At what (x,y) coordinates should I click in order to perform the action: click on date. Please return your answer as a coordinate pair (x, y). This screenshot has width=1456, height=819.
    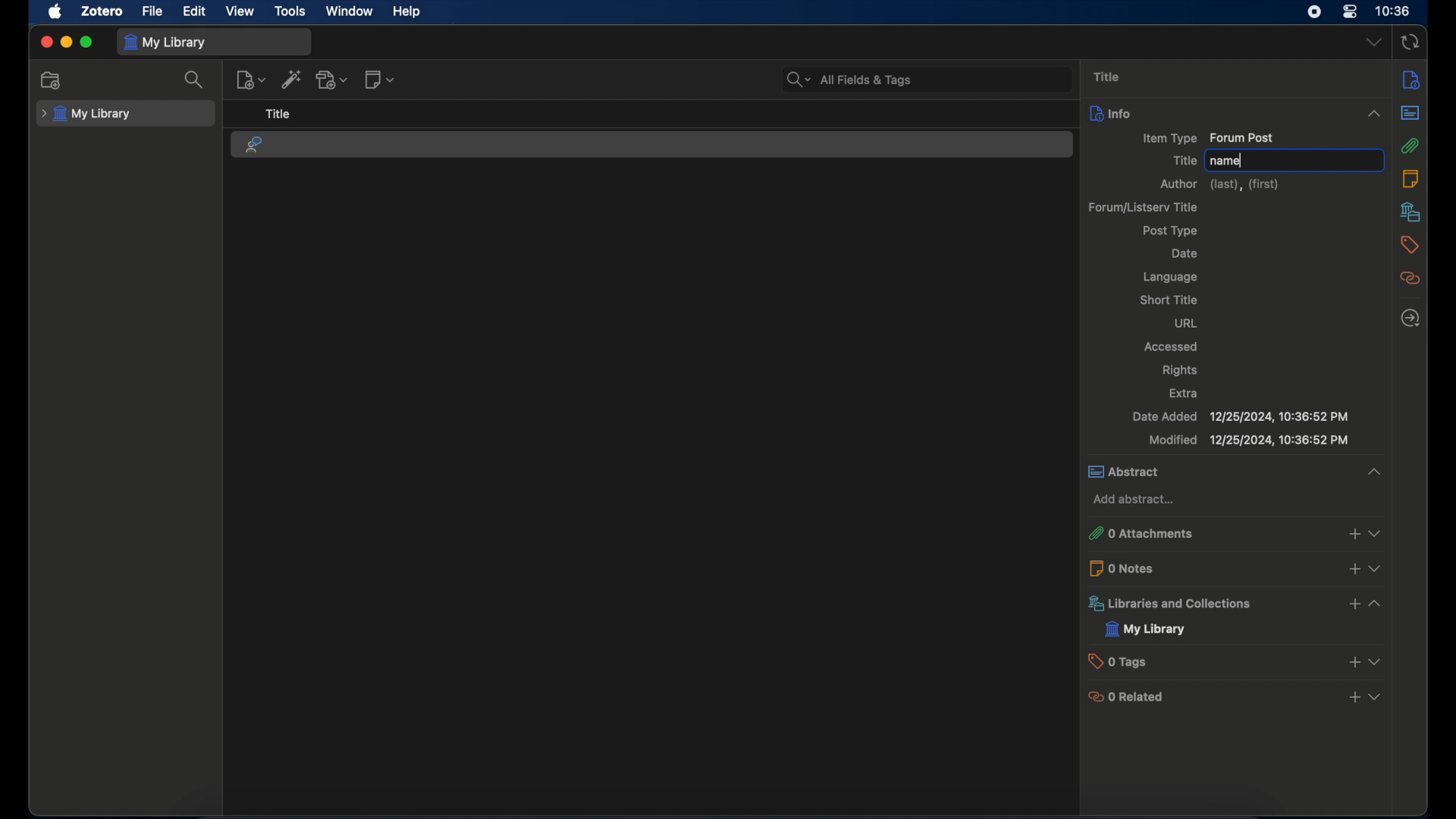
    Looking at the image, I should click on (1187, 253).